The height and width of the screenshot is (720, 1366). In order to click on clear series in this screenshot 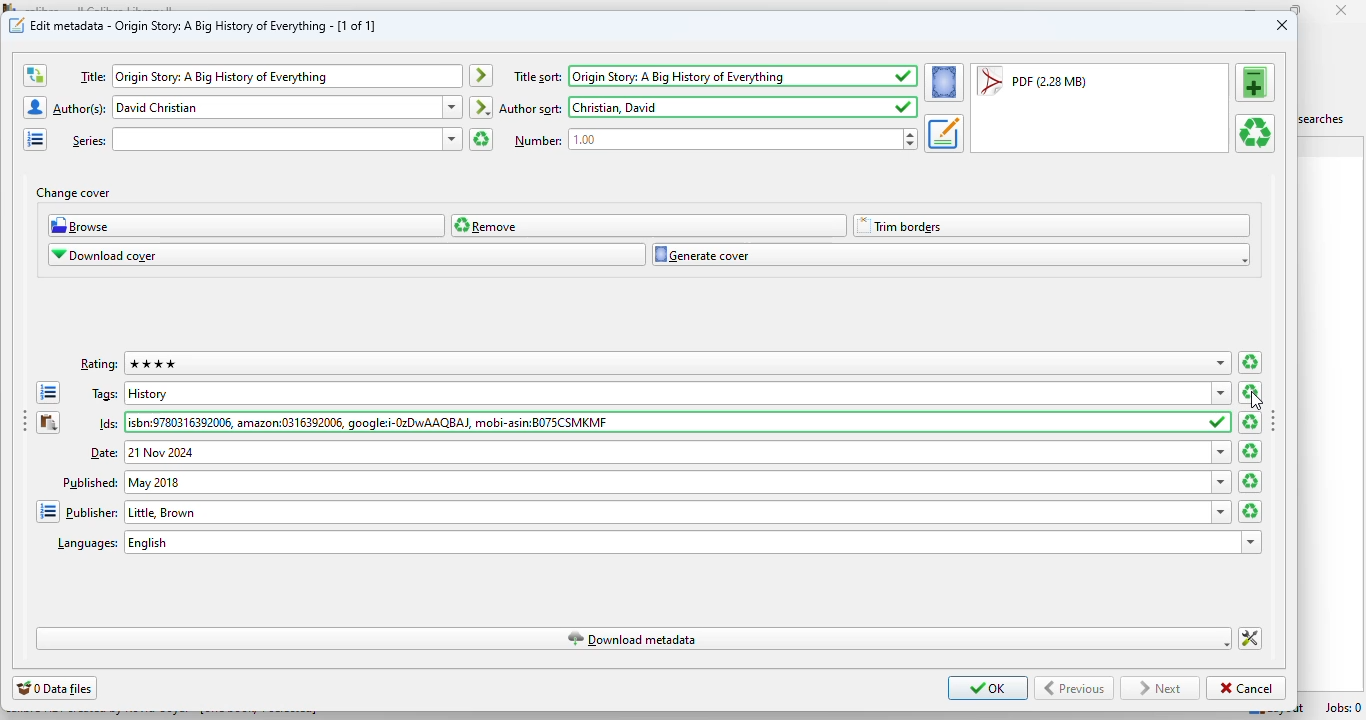, I will do `click(481, 139)`.